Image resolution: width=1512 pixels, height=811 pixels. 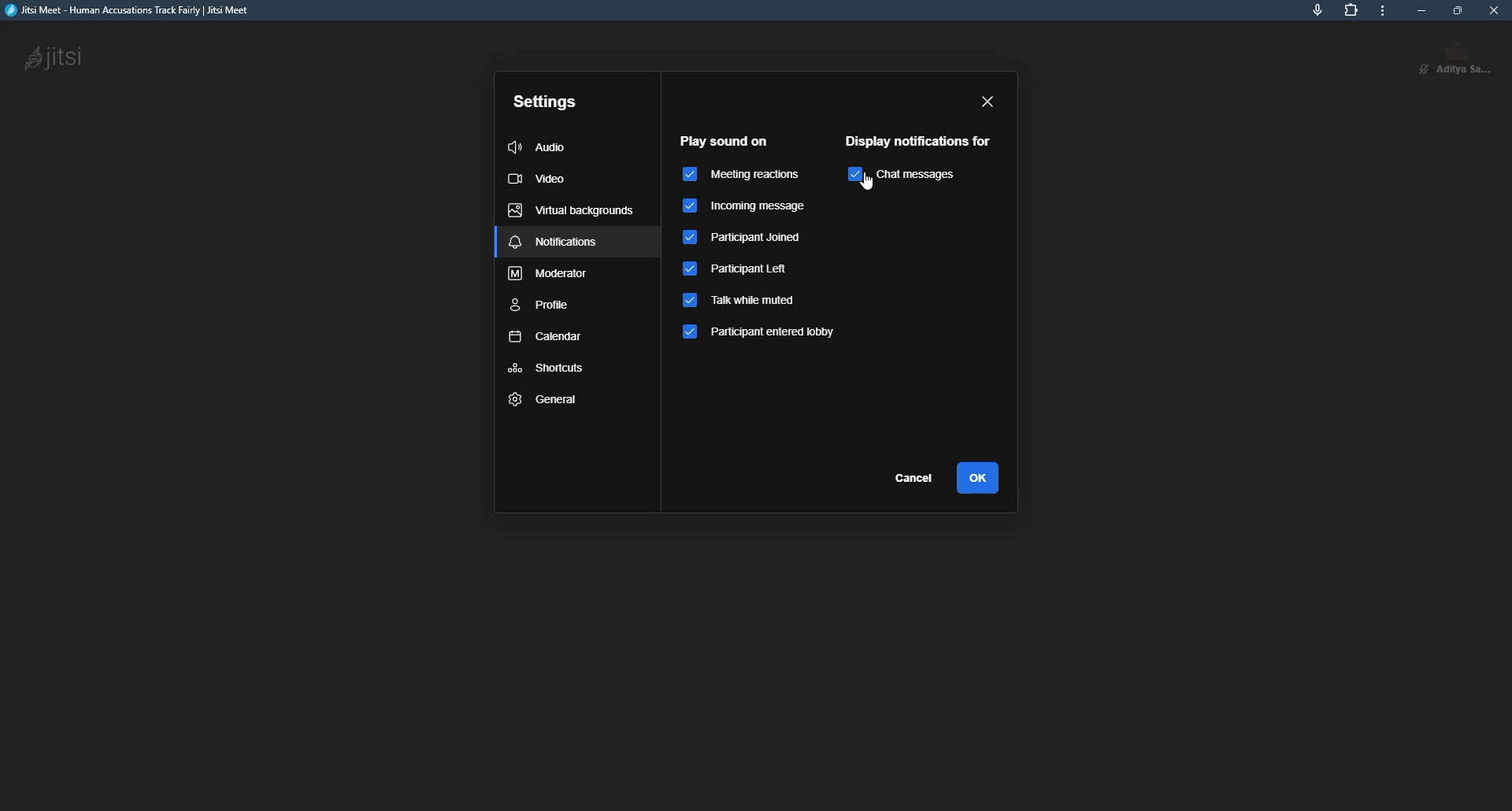 What do you see at coordinates (740, 299) in the screenshot?
I see `talk while muted` at bounding box center [740, 299].